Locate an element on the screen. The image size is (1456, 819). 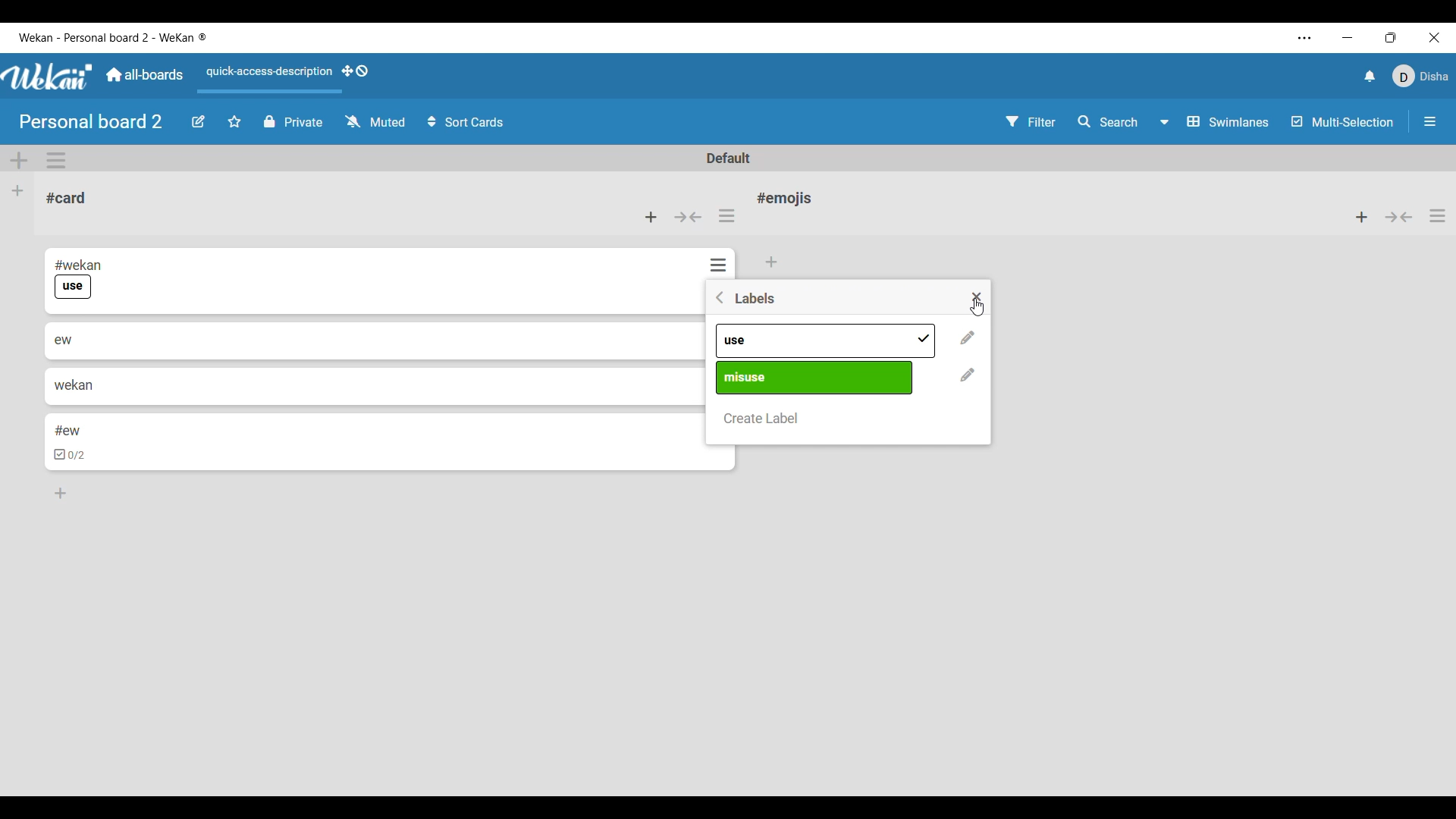
Add card to bottom of list is located at coordinates (60, 492).